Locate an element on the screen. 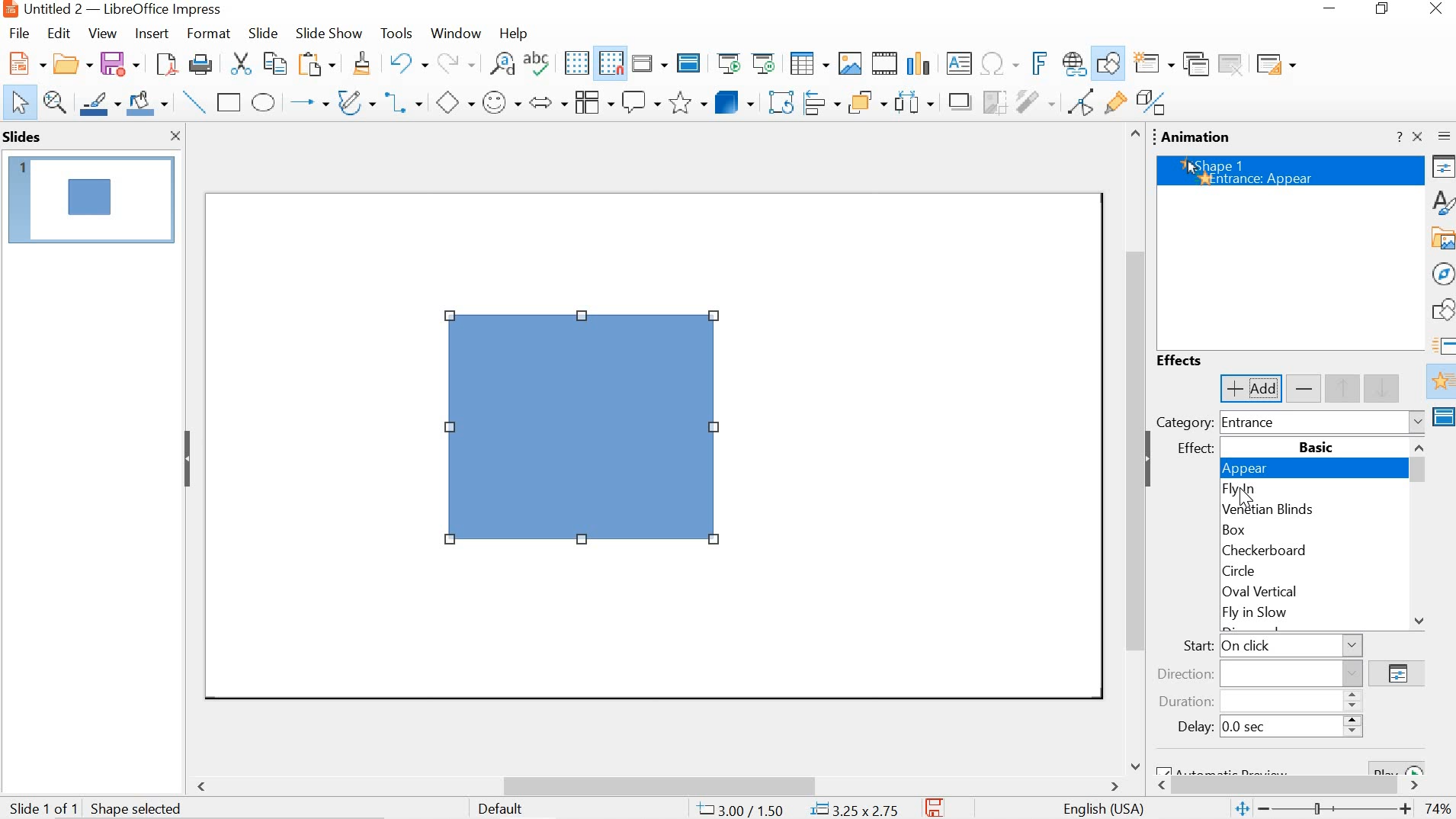 The width and height of the screenshot is (1456, 819). add is located at coordinates (1250, 388).